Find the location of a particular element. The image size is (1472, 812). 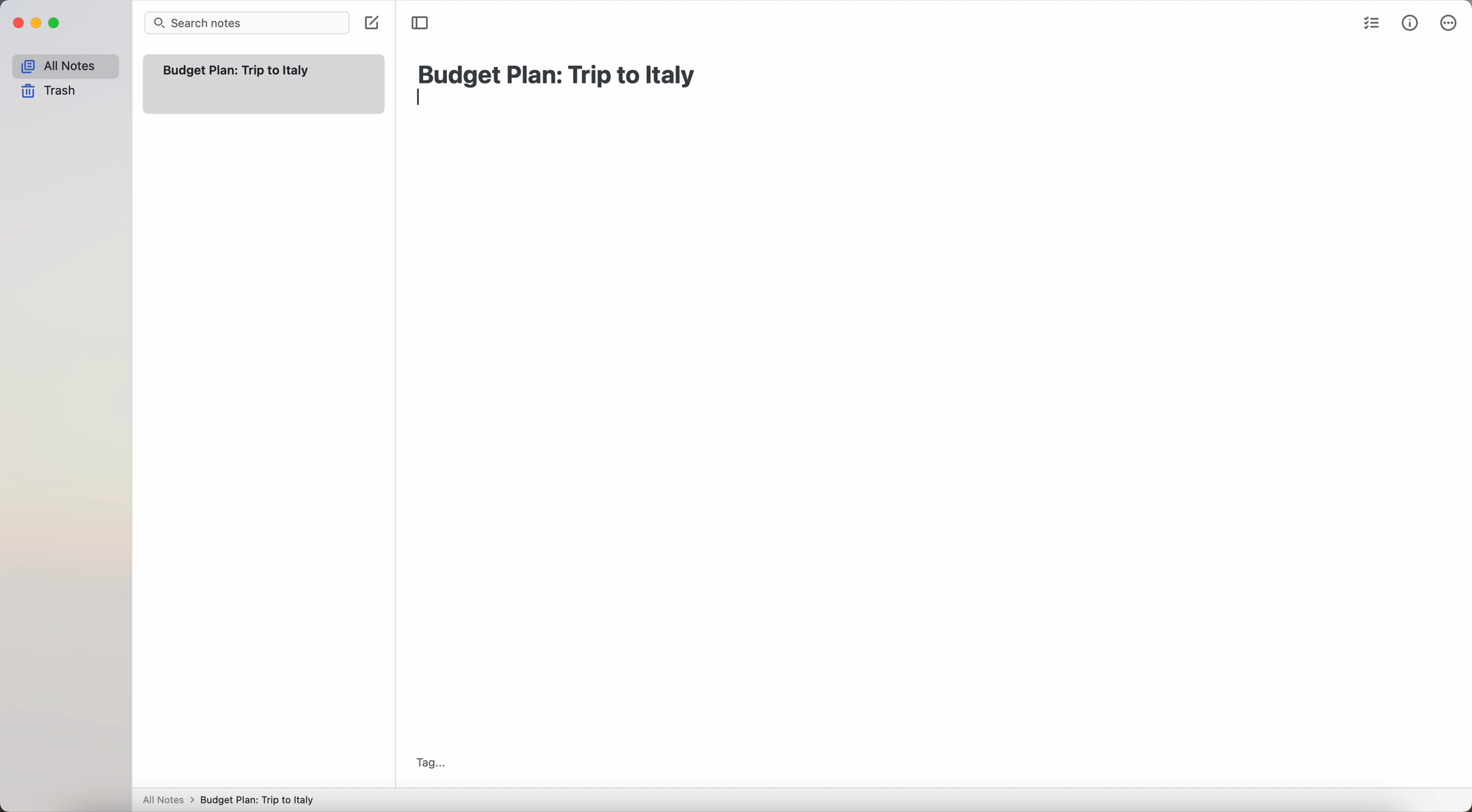

create note is located at coordinates (371, 24).